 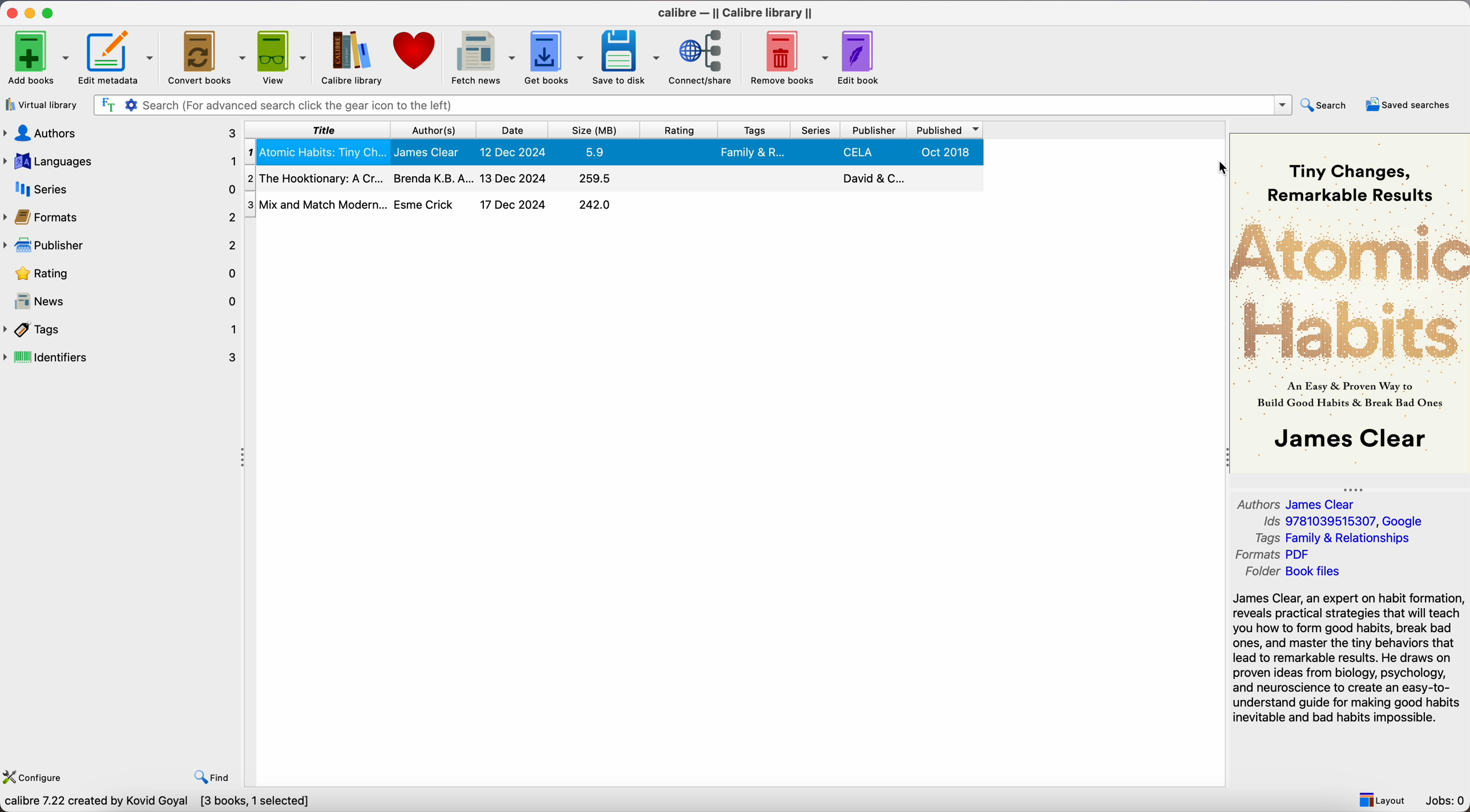 I want to click on James Clear, so click(x=430, y=152).